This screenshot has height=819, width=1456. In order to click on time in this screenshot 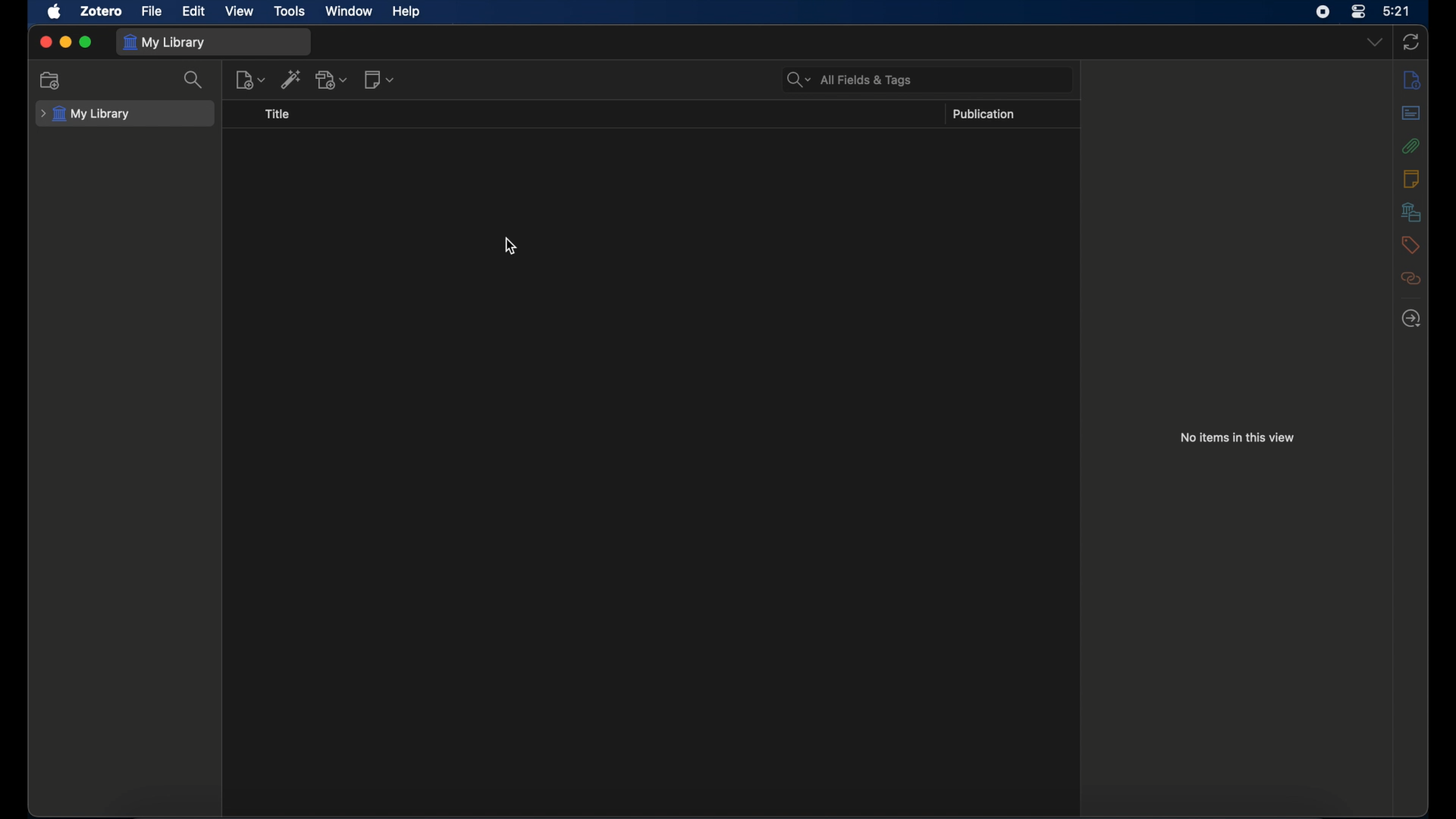, I will do `click(1397, 11)`.